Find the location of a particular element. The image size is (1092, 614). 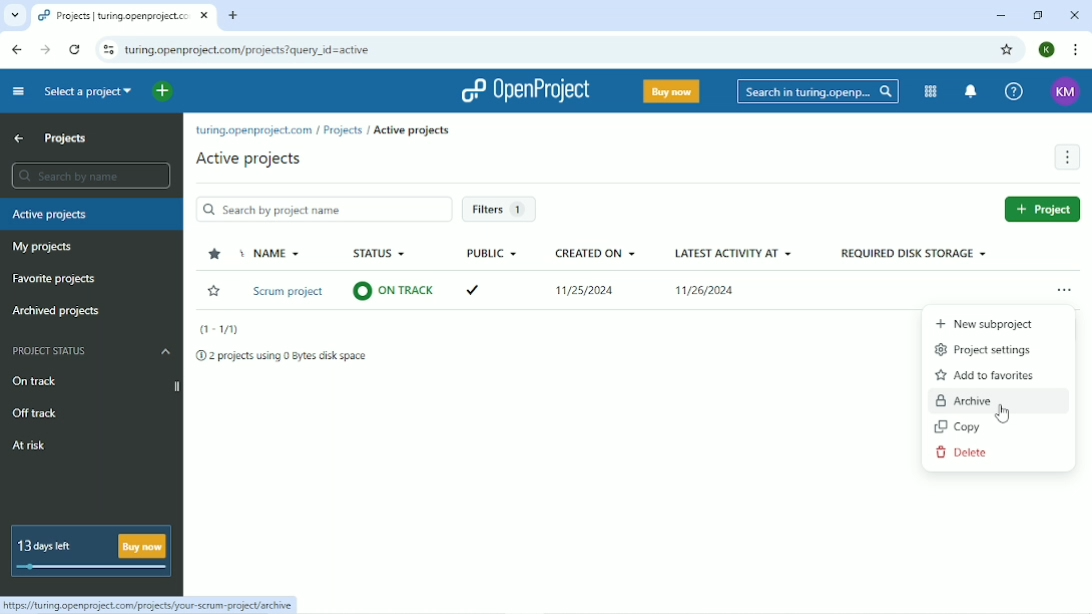

Buy now is located at coordinates (670, 91).